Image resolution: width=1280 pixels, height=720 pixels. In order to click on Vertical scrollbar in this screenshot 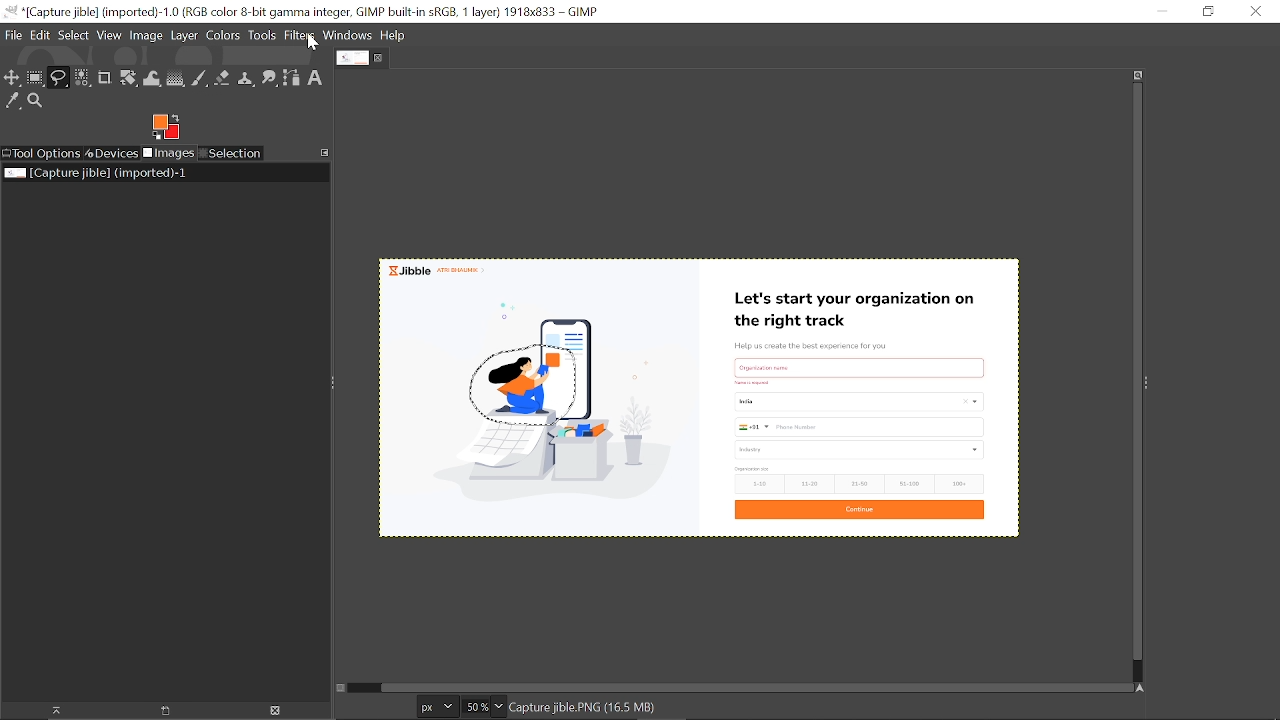, I will do `click(1134, 374)`.